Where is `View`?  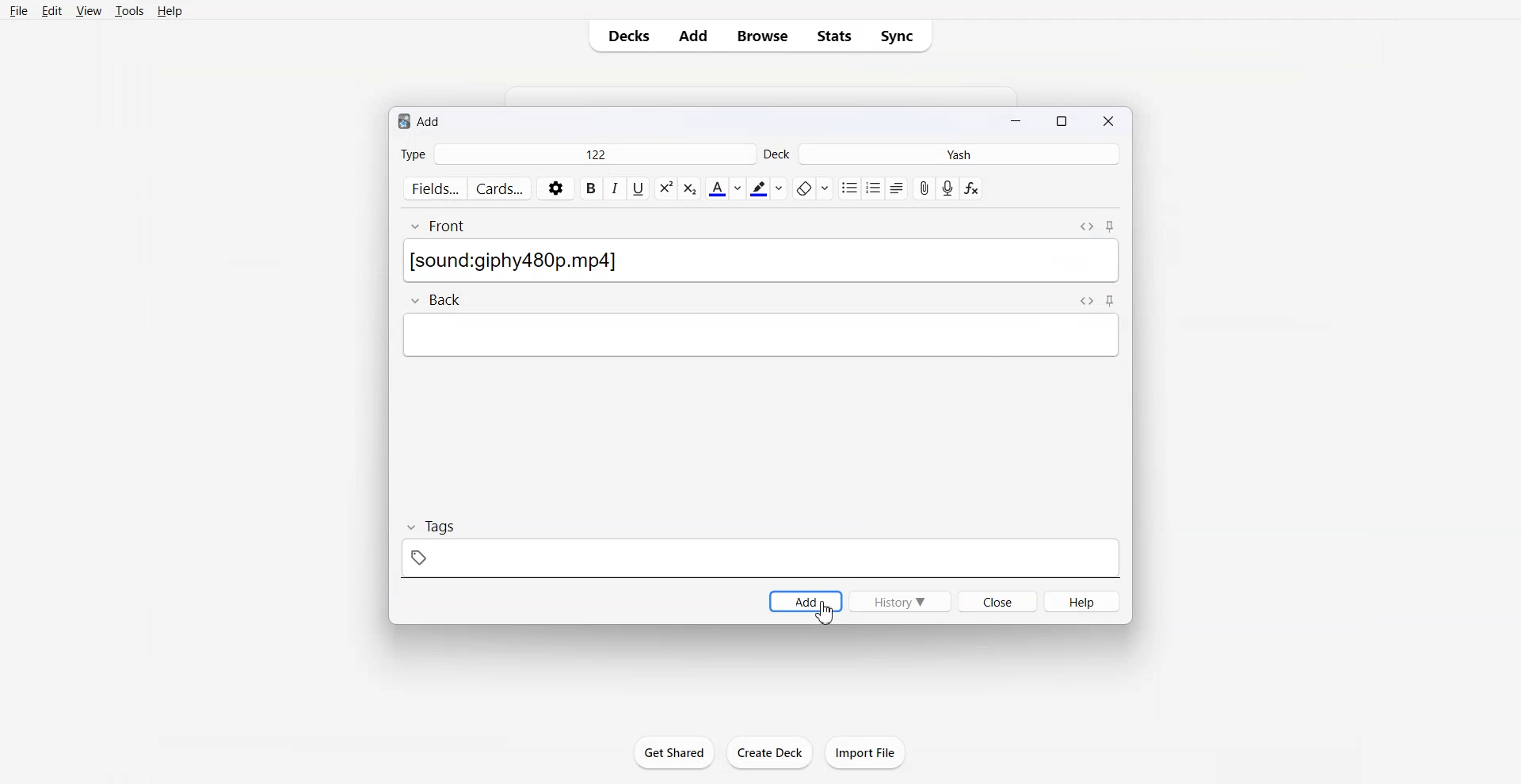 View is located at coordinates (88, 12).